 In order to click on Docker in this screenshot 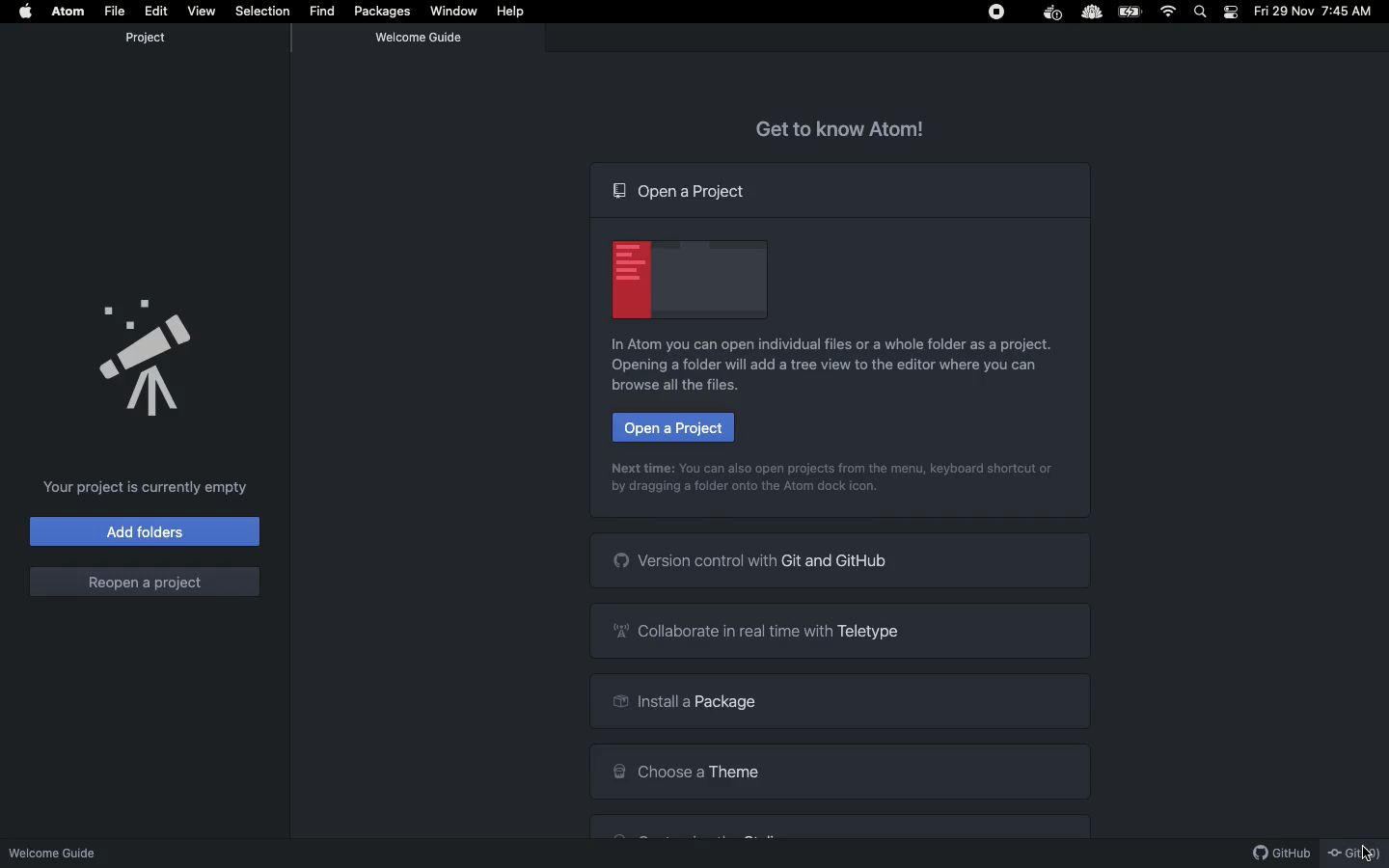, I will do `click(1053, 14)`.